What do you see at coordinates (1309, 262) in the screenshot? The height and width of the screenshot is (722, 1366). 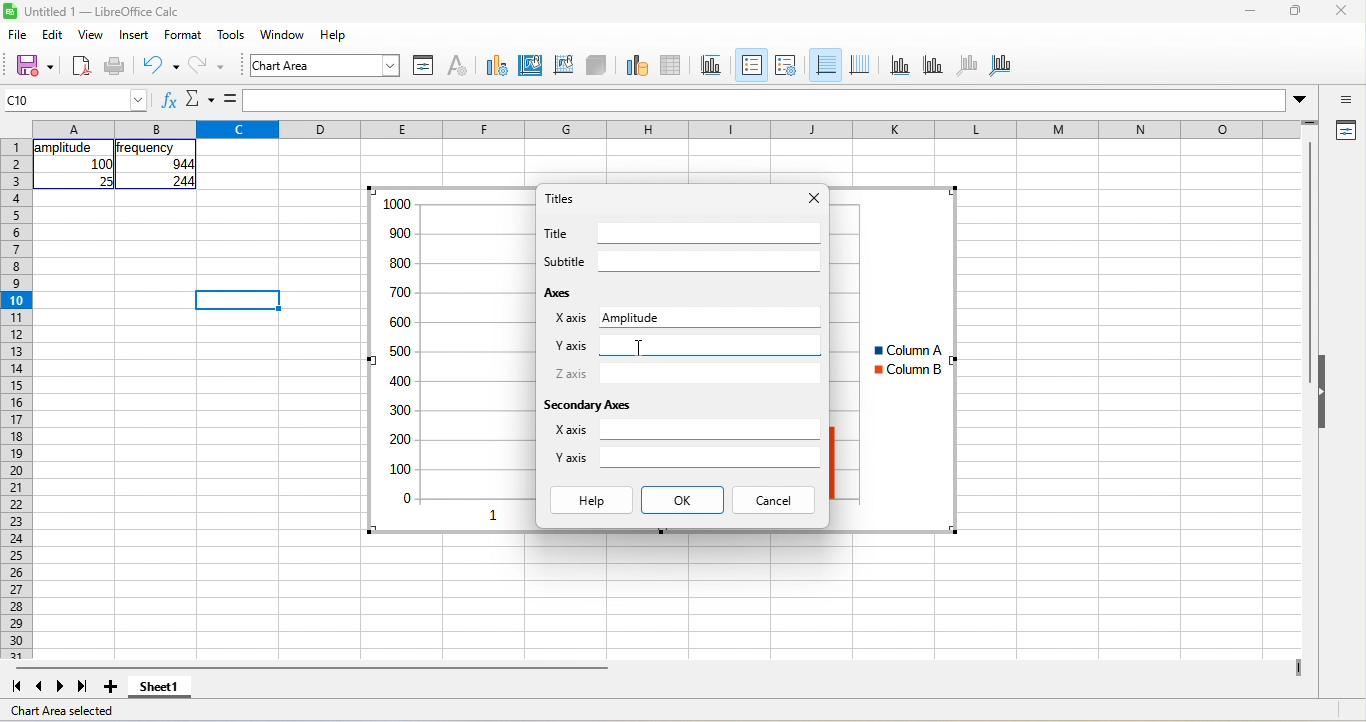 I see `Vertical slide bar` at bounding box center [1309, 262].